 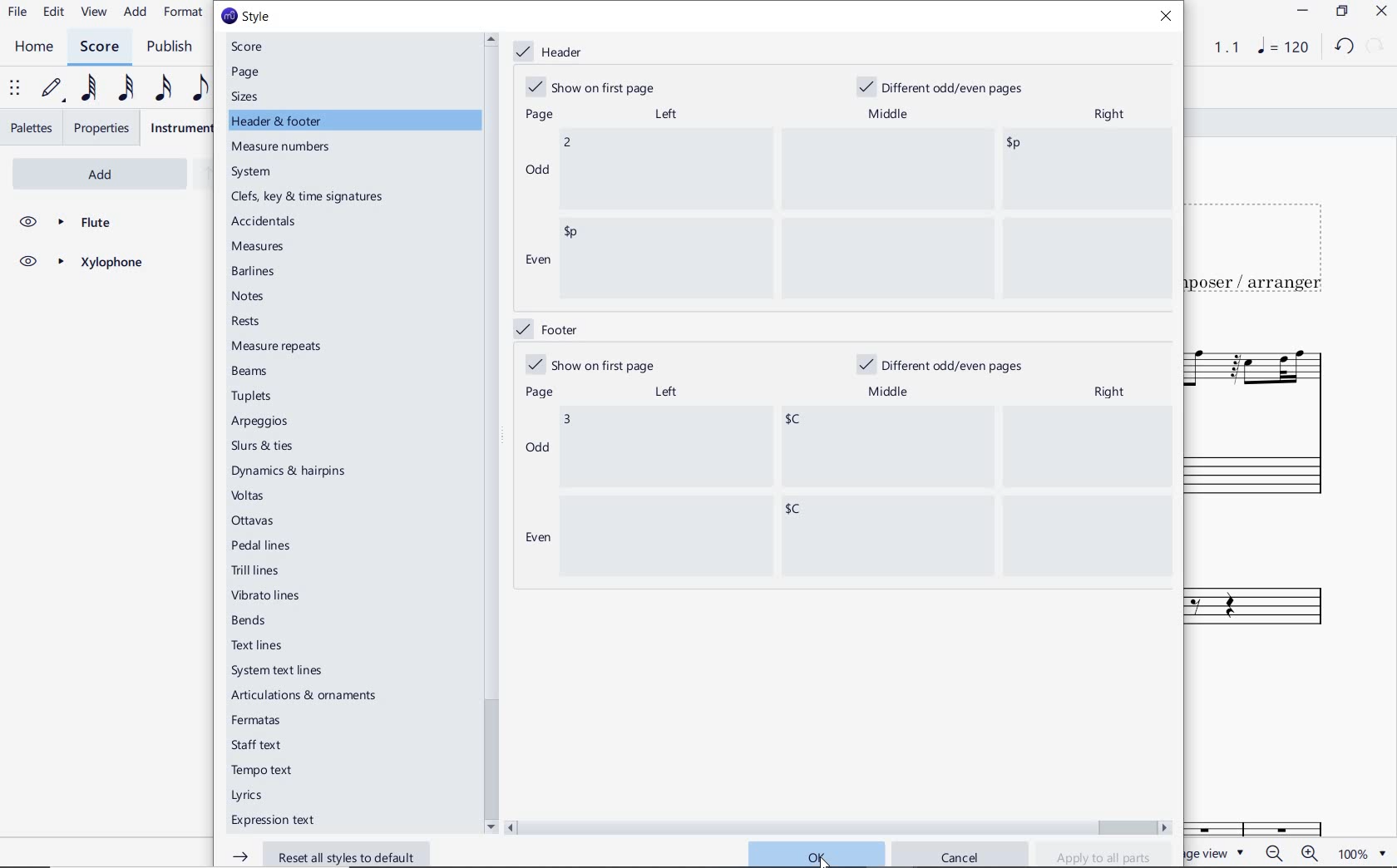 I want to click on ottavas, so click(x=254, y=520).